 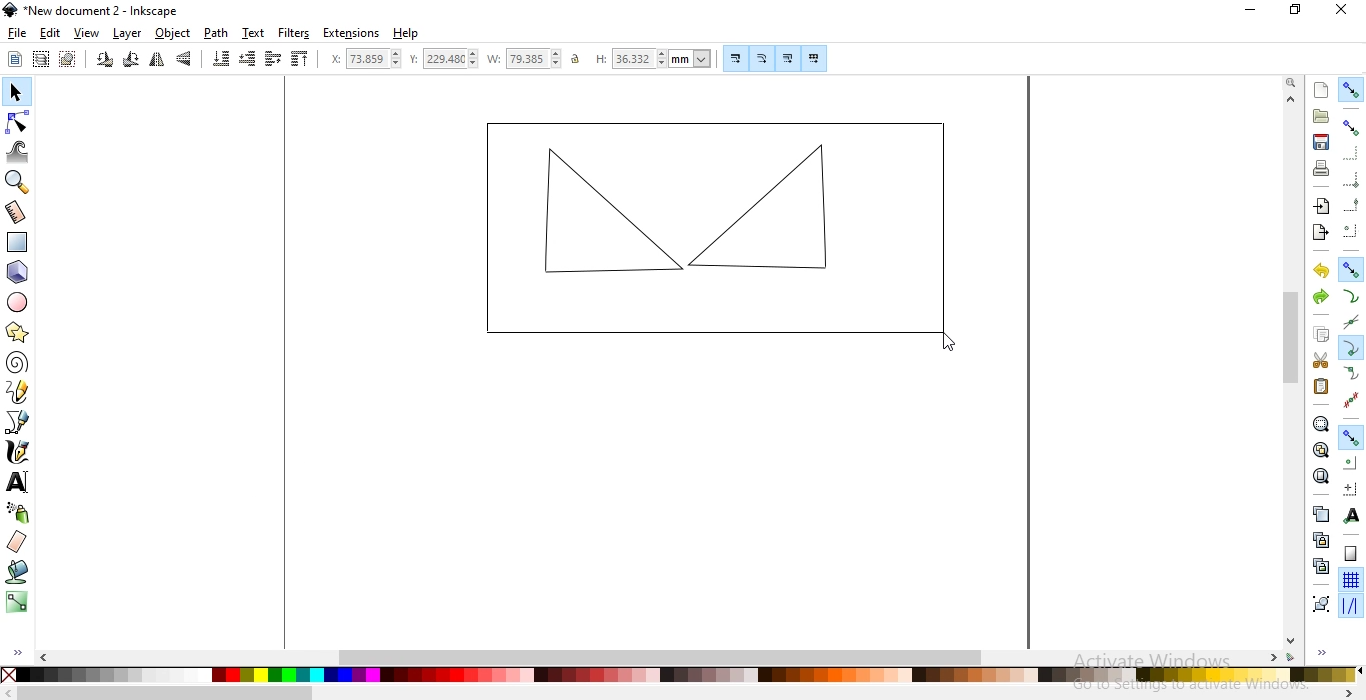 I want to click on snap cusp nodes incl rectangle corners, so click(x=1352, y=346).